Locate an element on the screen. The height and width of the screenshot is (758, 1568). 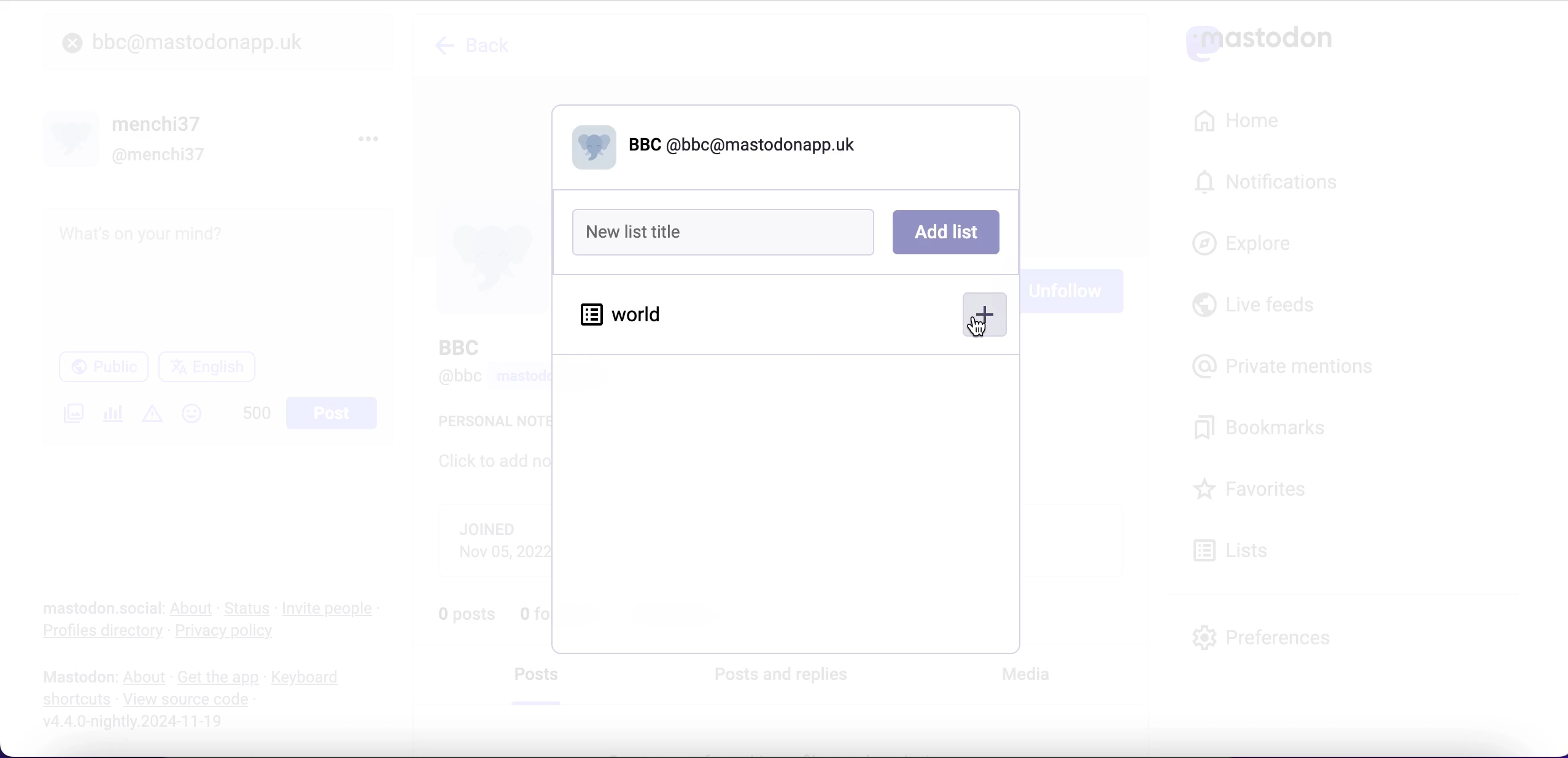
favorites is located at coordinates (1254, 491).